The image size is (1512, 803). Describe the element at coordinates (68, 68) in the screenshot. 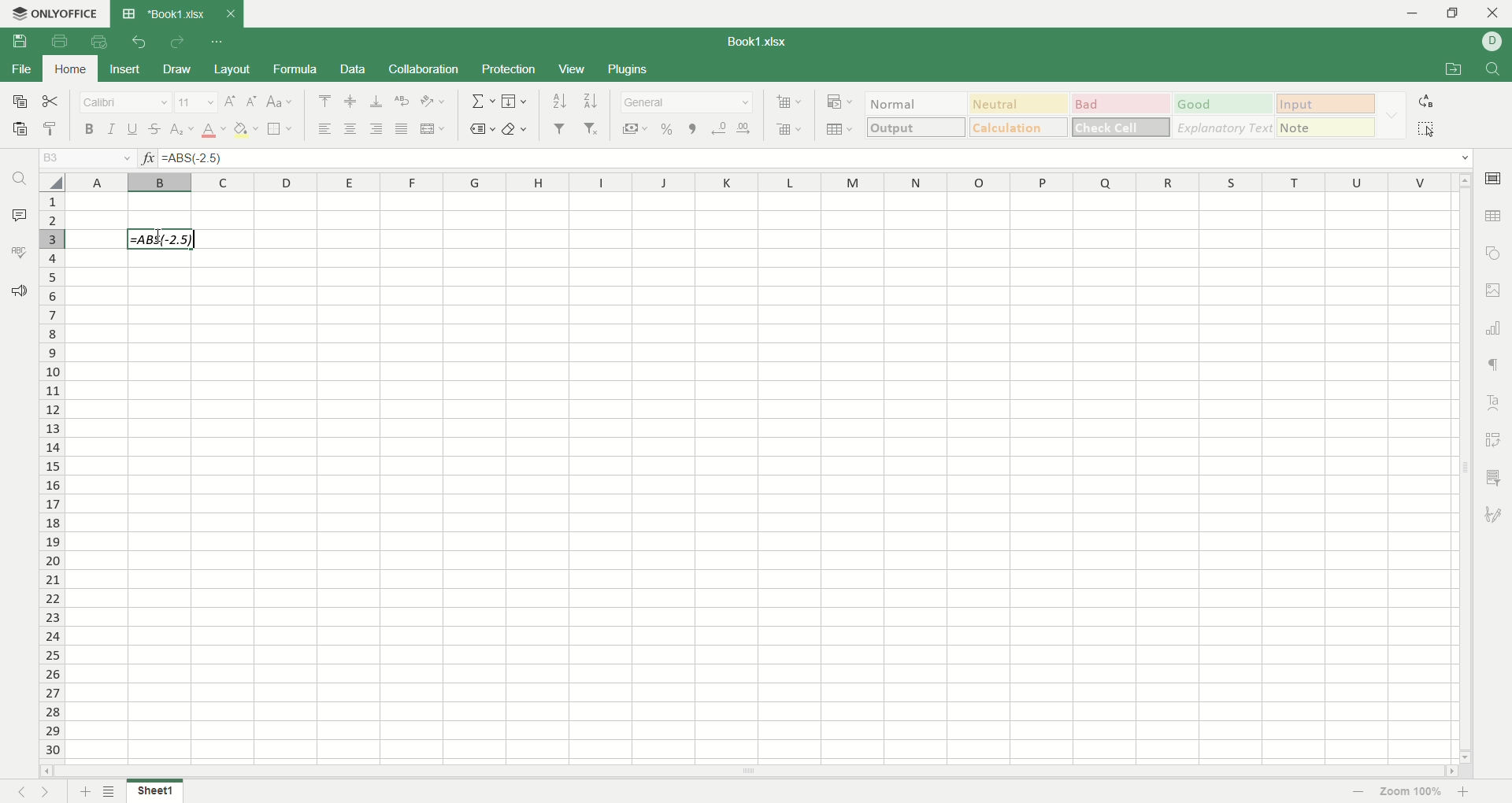

I see `home` at that location.